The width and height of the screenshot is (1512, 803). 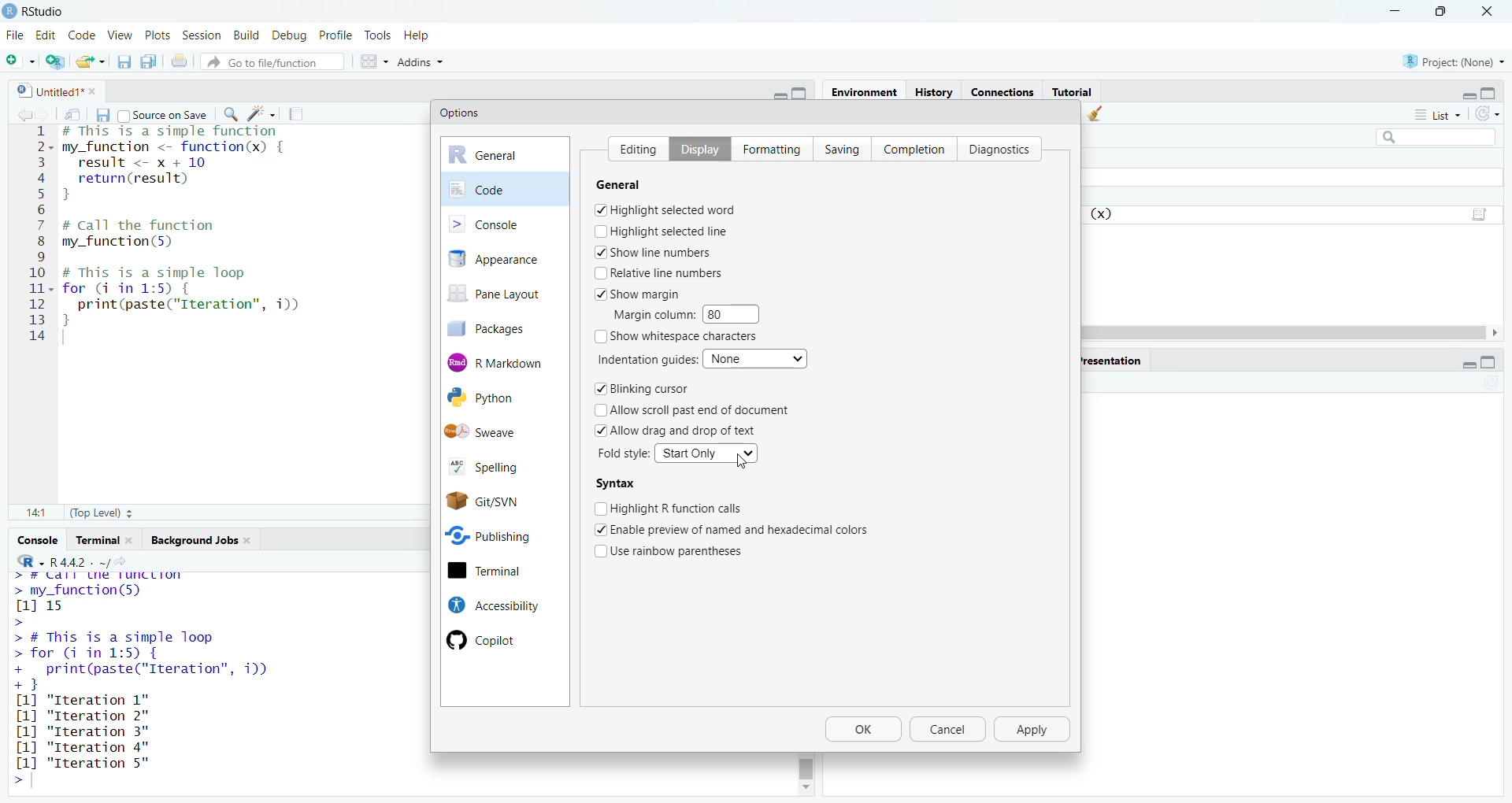 What do you see at coordinates (55, 59) in the screenshot?
I see `create a project` at bounding box center [55, 59].